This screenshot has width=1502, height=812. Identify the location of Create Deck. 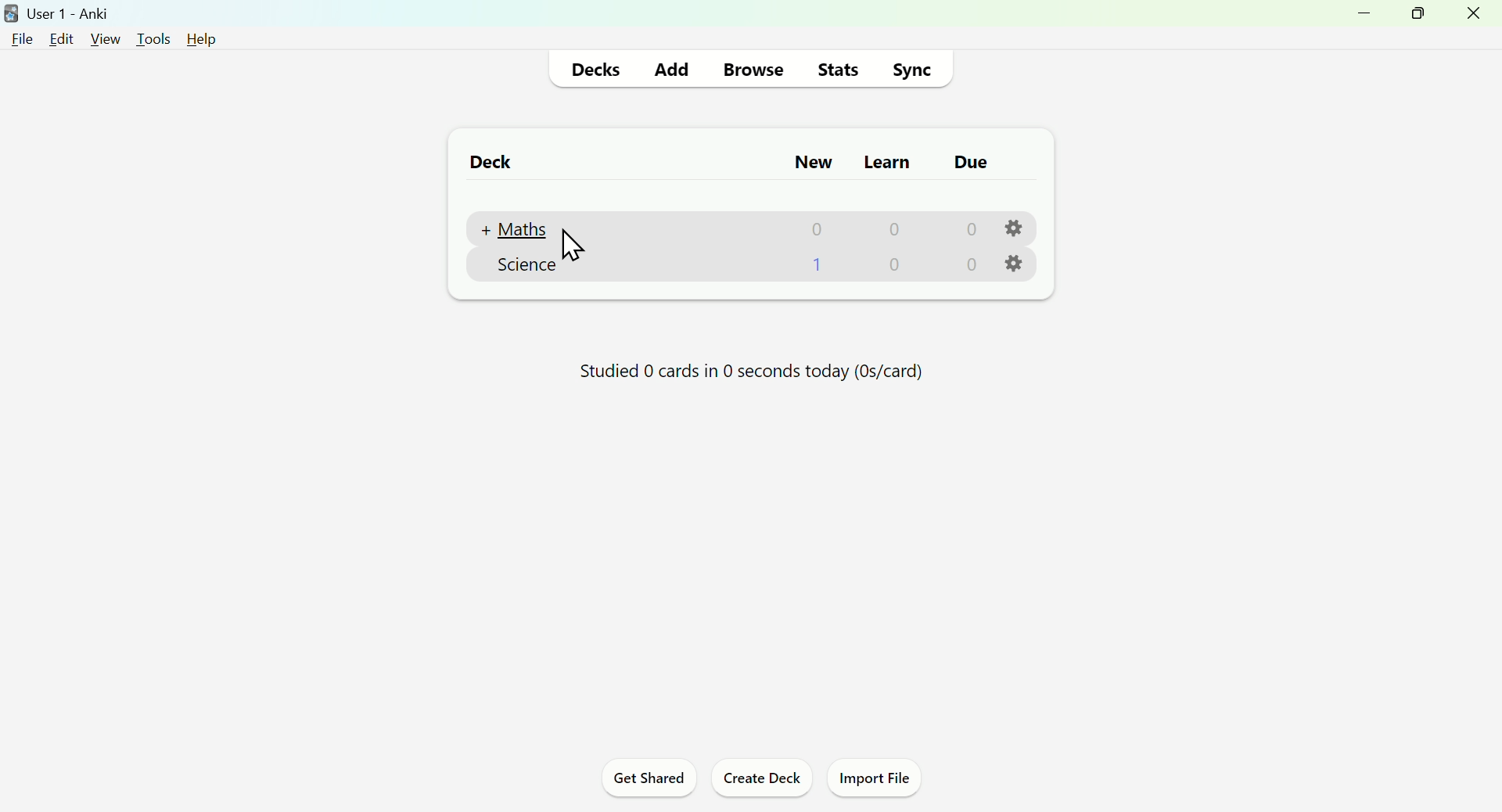
(758, 780).